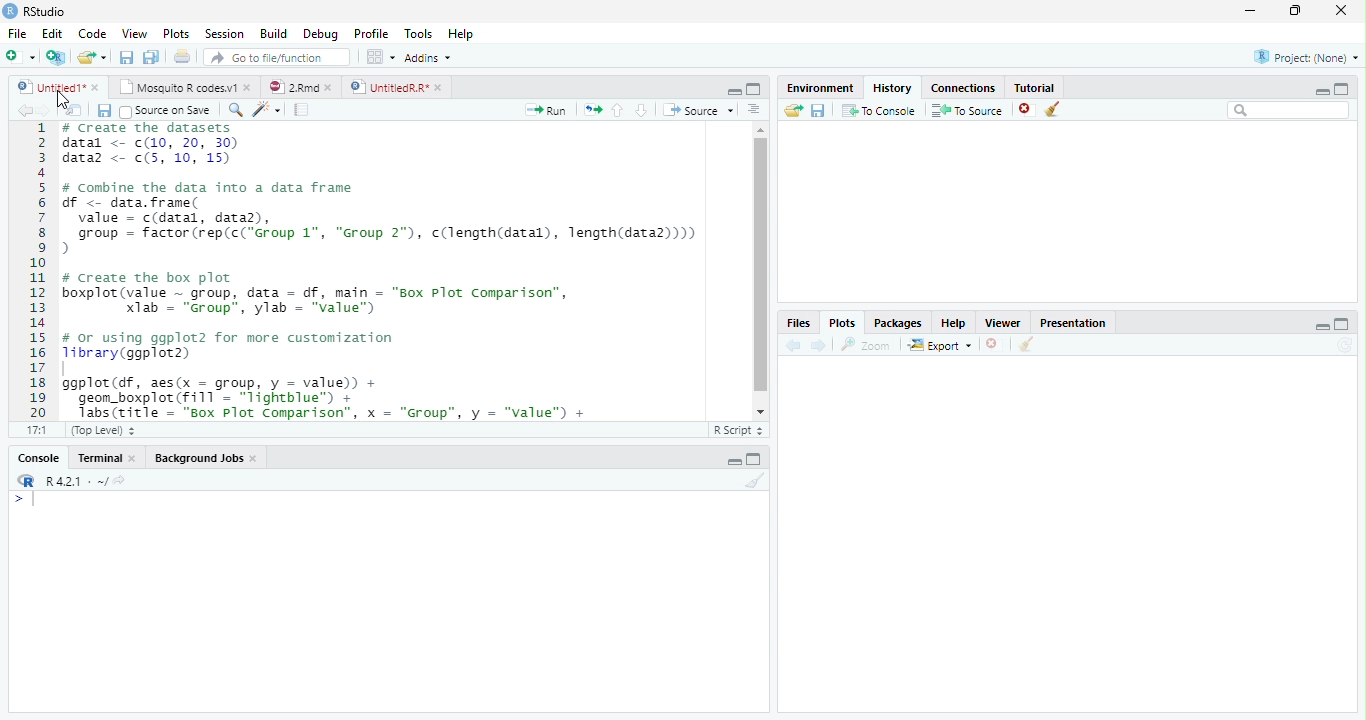 The height and width of the screenshot is (720, 1366). I want to click on Remove current plot, so click(995, 344).